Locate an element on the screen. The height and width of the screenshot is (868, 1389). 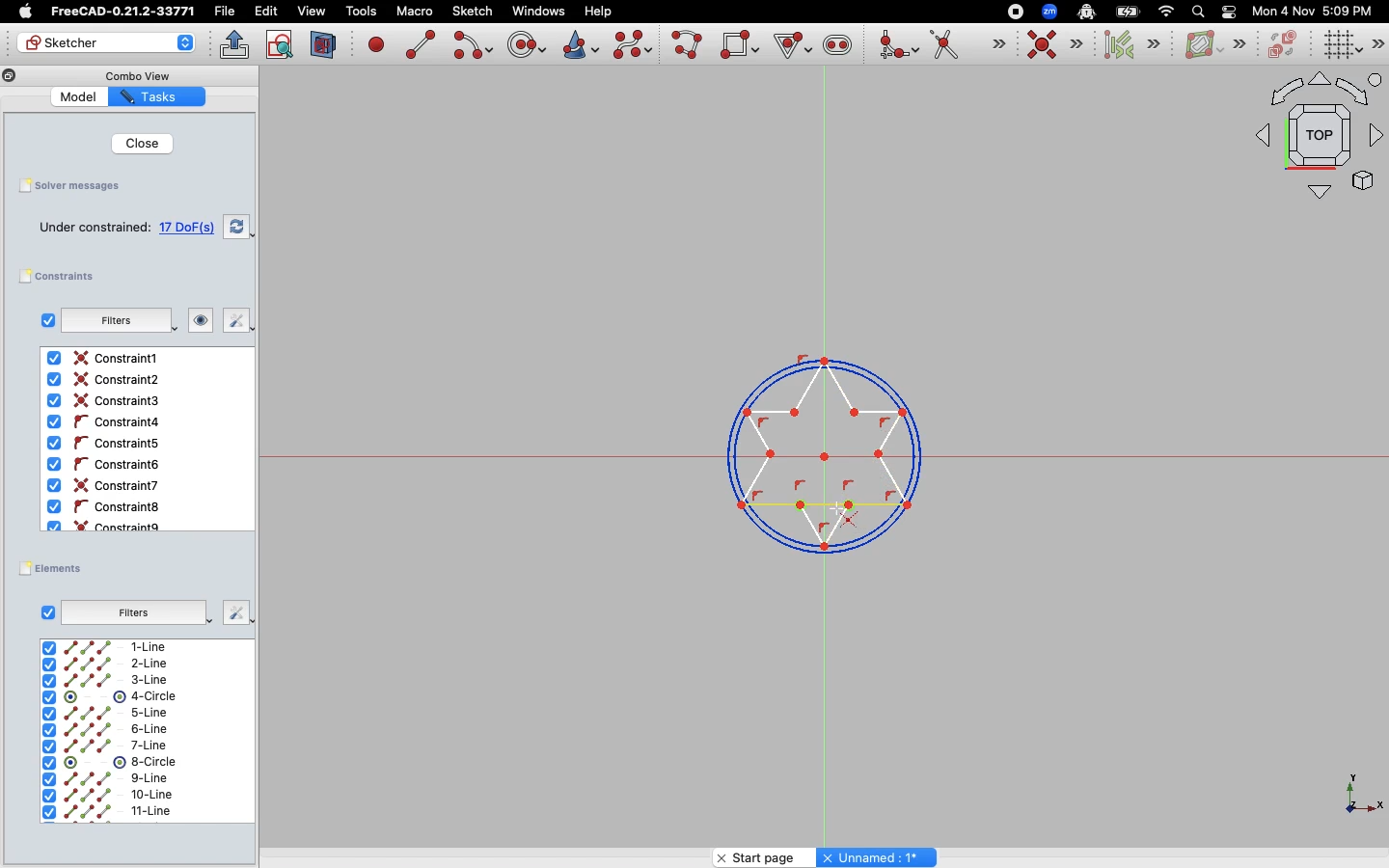
Swap is located at coordinates (240, 223).